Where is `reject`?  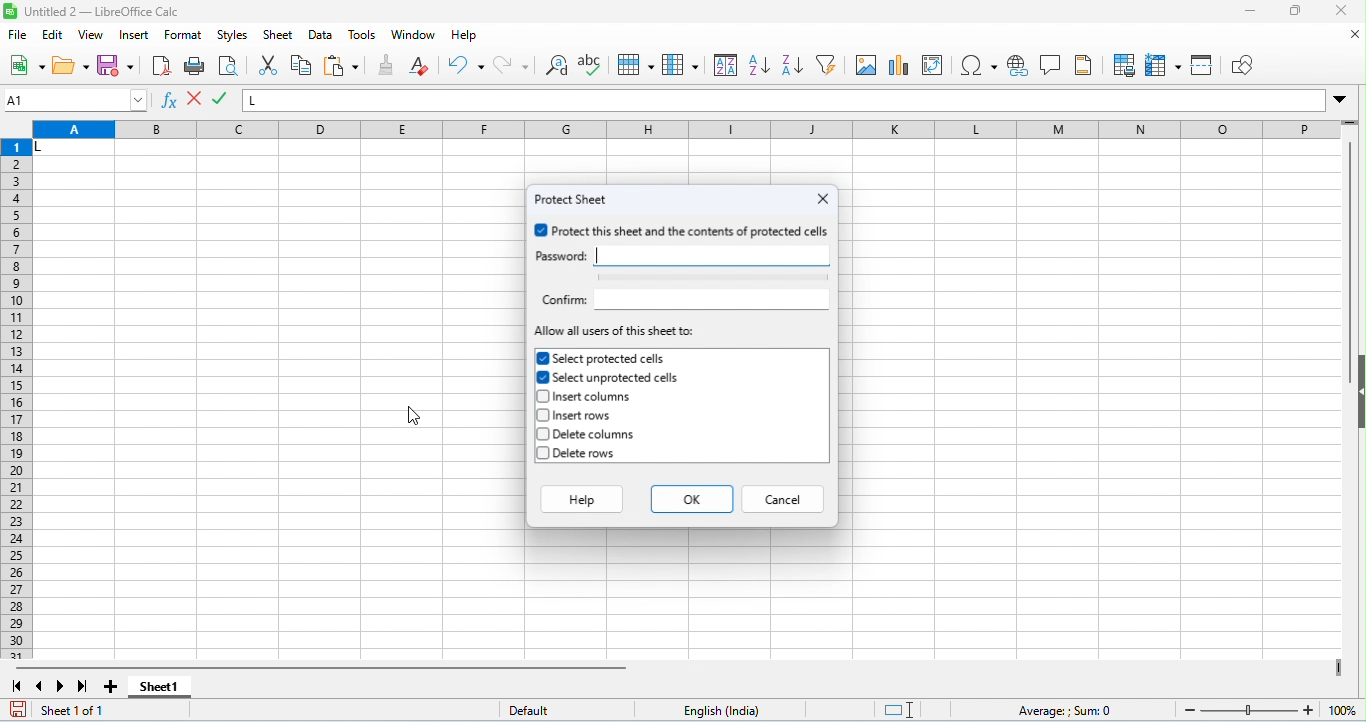
reject is located at coordinates (221, 99).